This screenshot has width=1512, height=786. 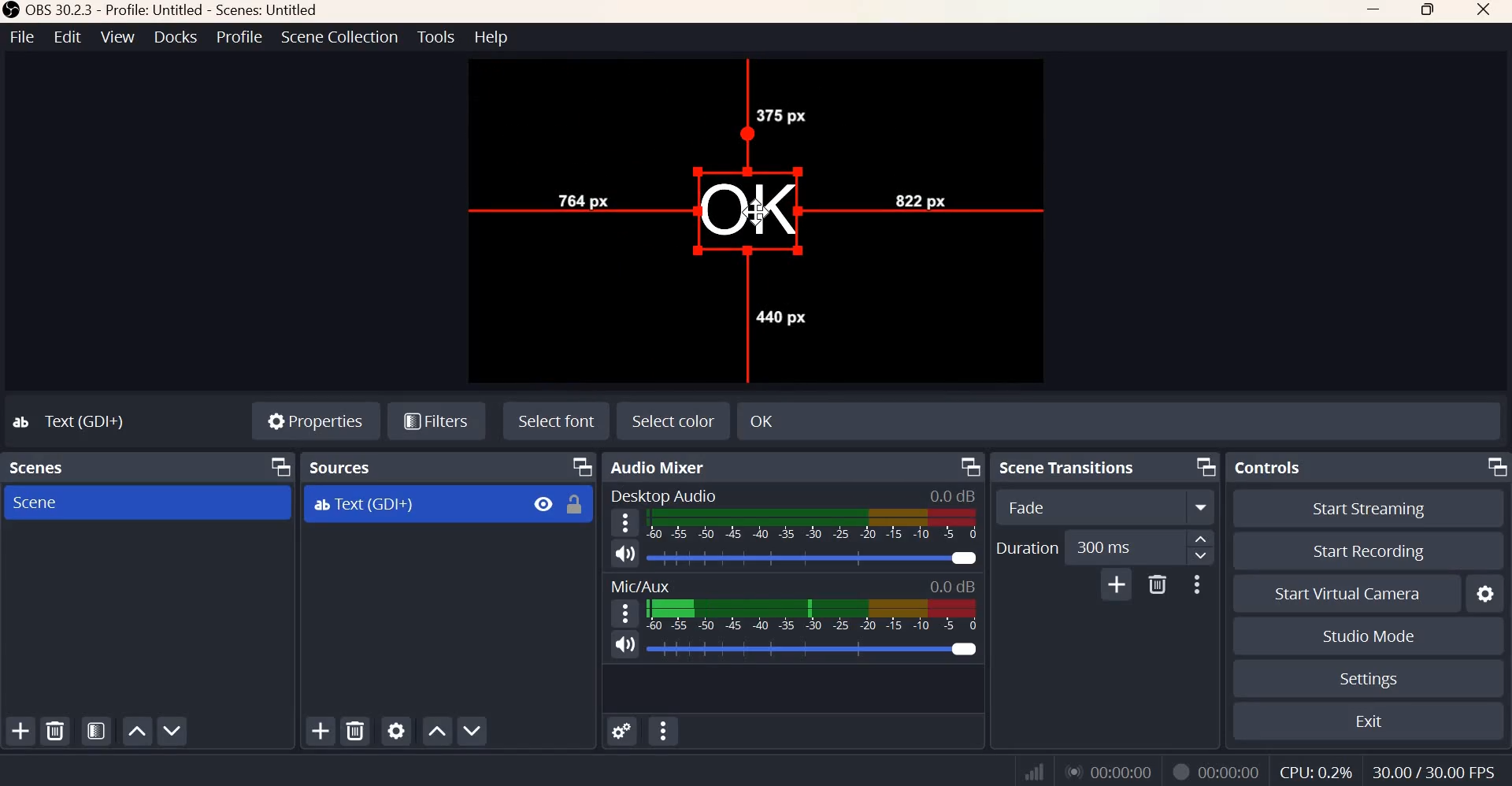 I want to click on Minimize, so click(x=1375, y=11).